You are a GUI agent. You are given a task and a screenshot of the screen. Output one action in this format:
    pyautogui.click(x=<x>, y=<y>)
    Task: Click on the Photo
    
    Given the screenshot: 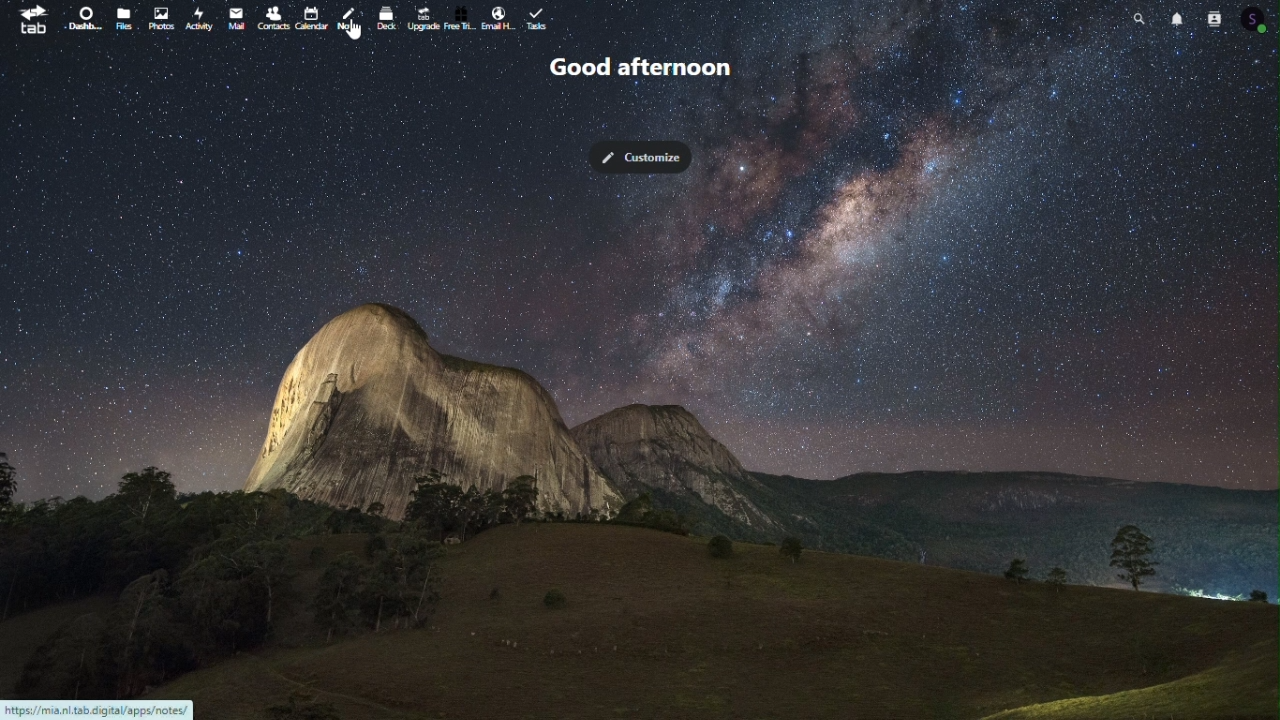 What is the action you would take?
    pyautogui.click(x=159, y=20)
    